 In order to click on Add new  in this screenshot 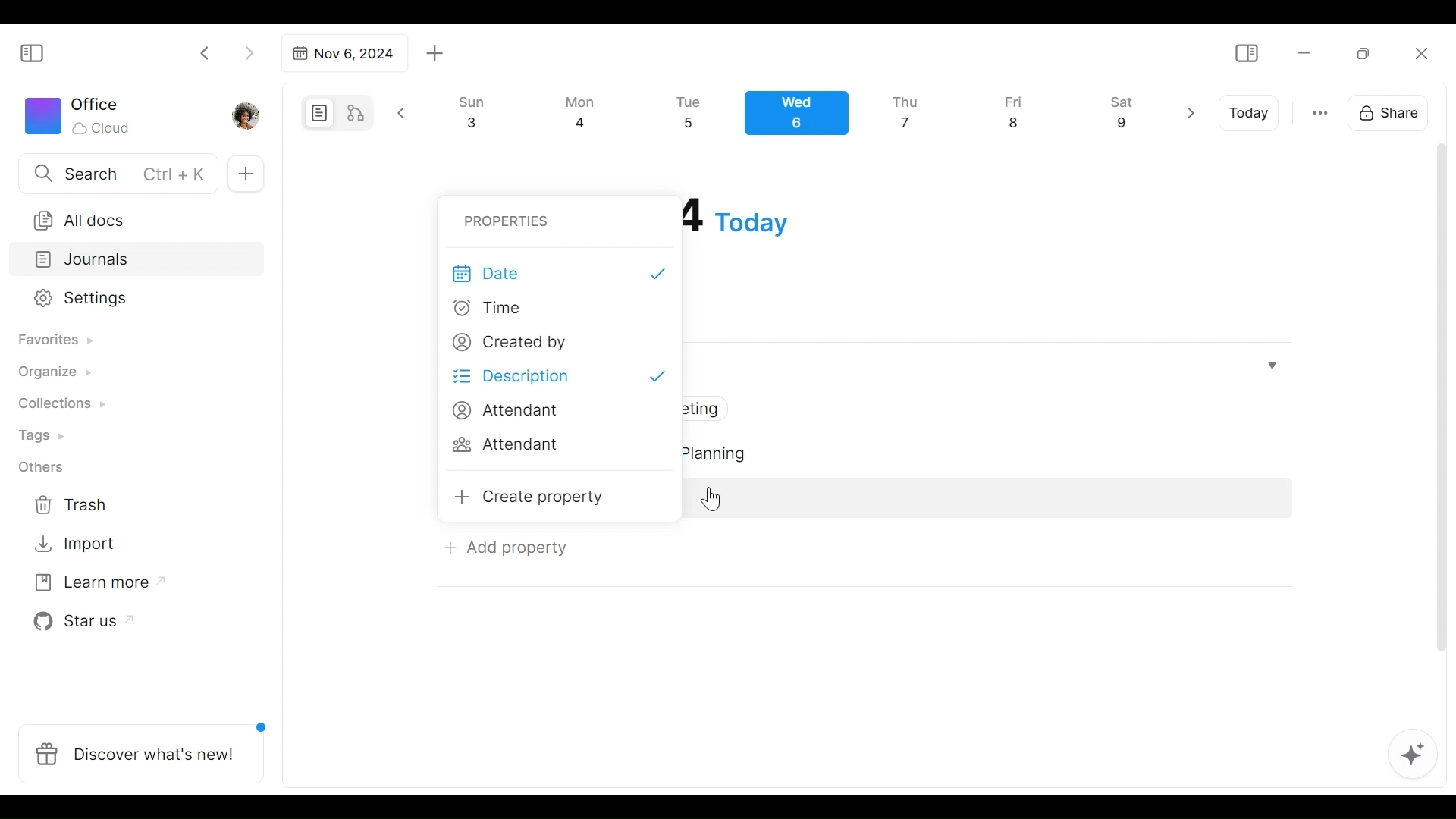, I will do `click(244, 174)`.